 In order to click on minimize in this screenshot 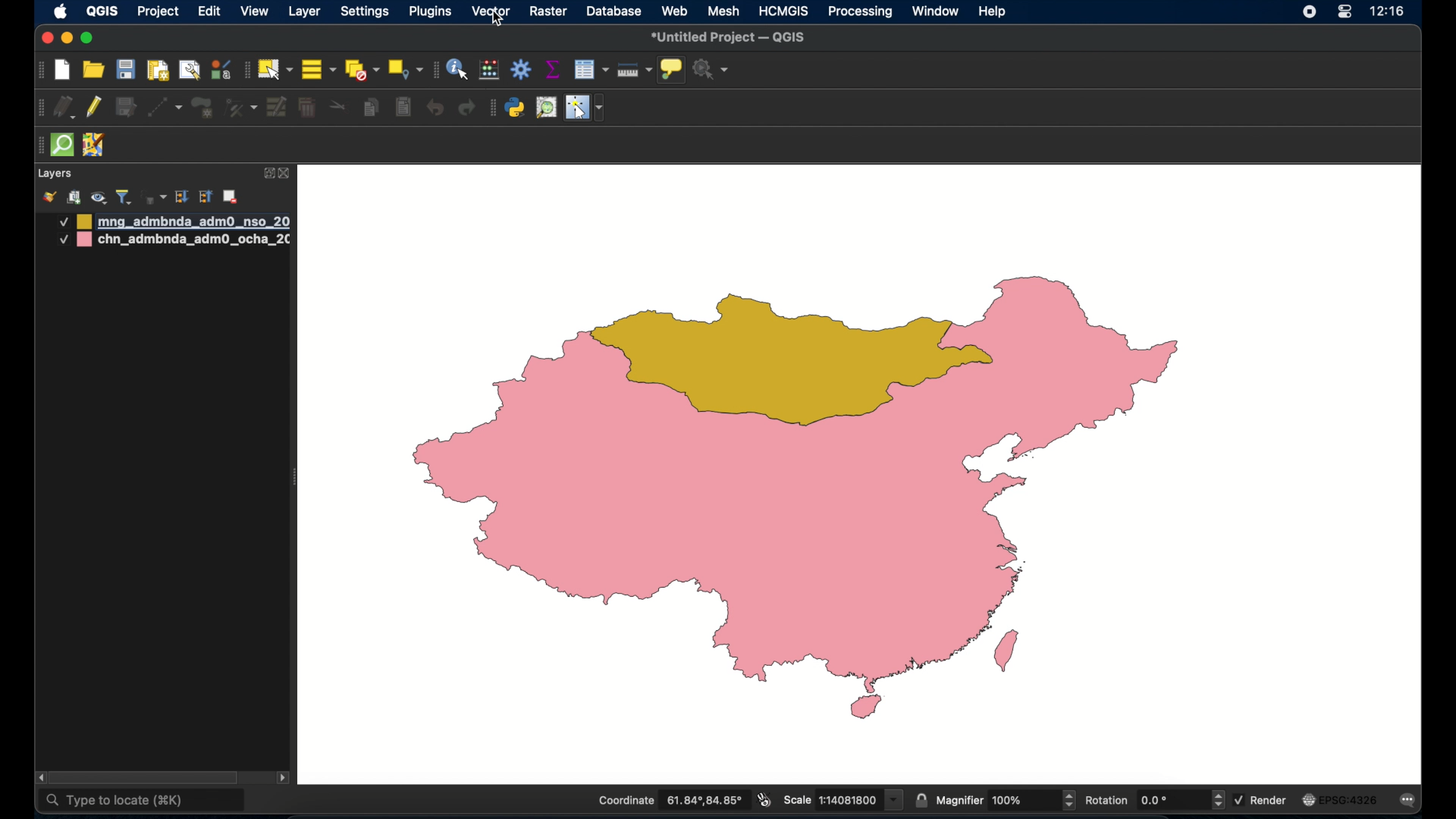, I will do `click(66, 39)`.